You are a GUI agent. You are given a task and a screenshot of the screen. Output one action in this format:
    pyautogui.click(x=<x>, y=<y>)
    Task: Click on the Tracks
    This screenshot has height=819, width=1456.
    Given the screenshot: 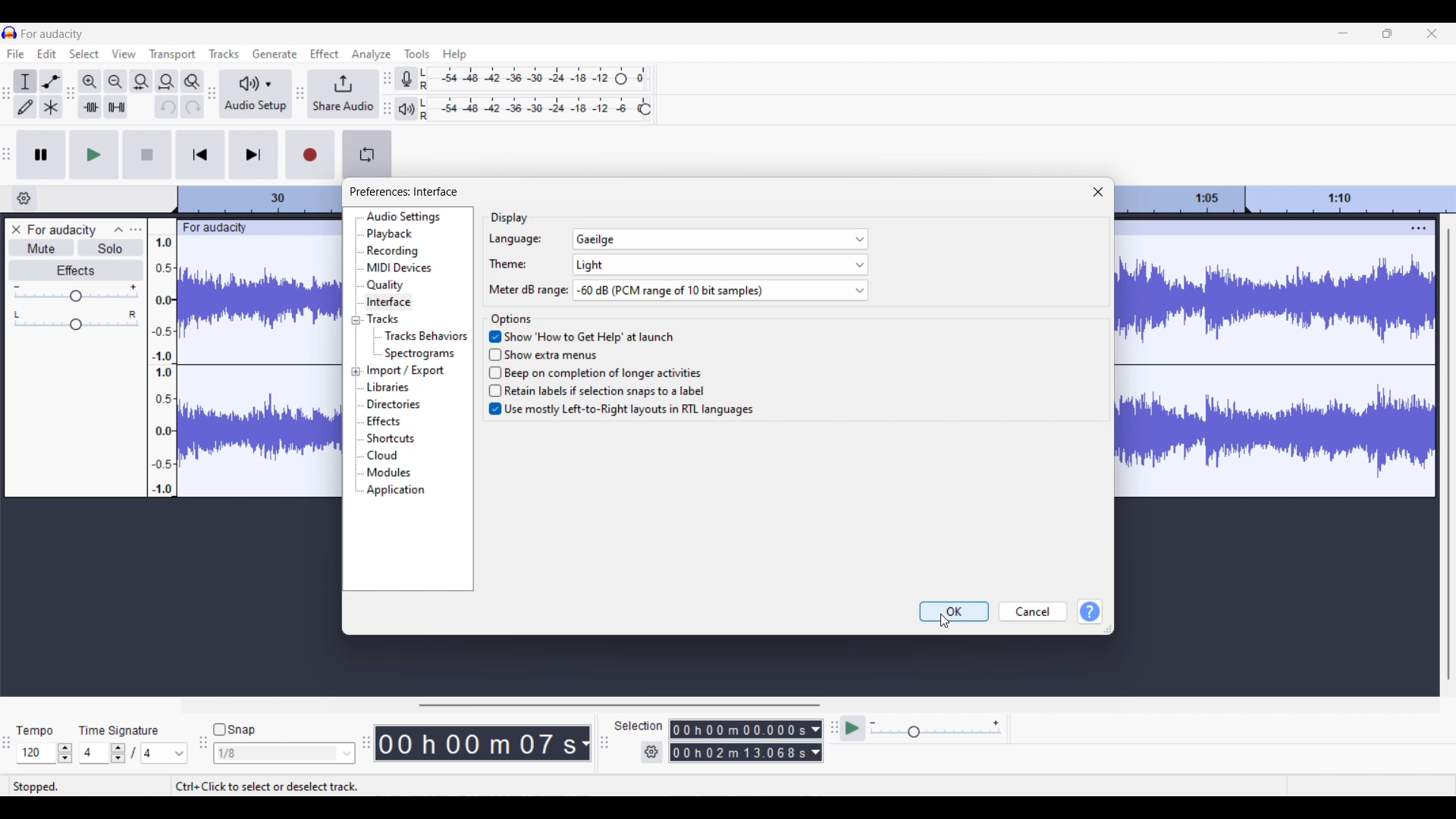 What is the action you would take?
    pyautogui.click(x=382, y=318)
    